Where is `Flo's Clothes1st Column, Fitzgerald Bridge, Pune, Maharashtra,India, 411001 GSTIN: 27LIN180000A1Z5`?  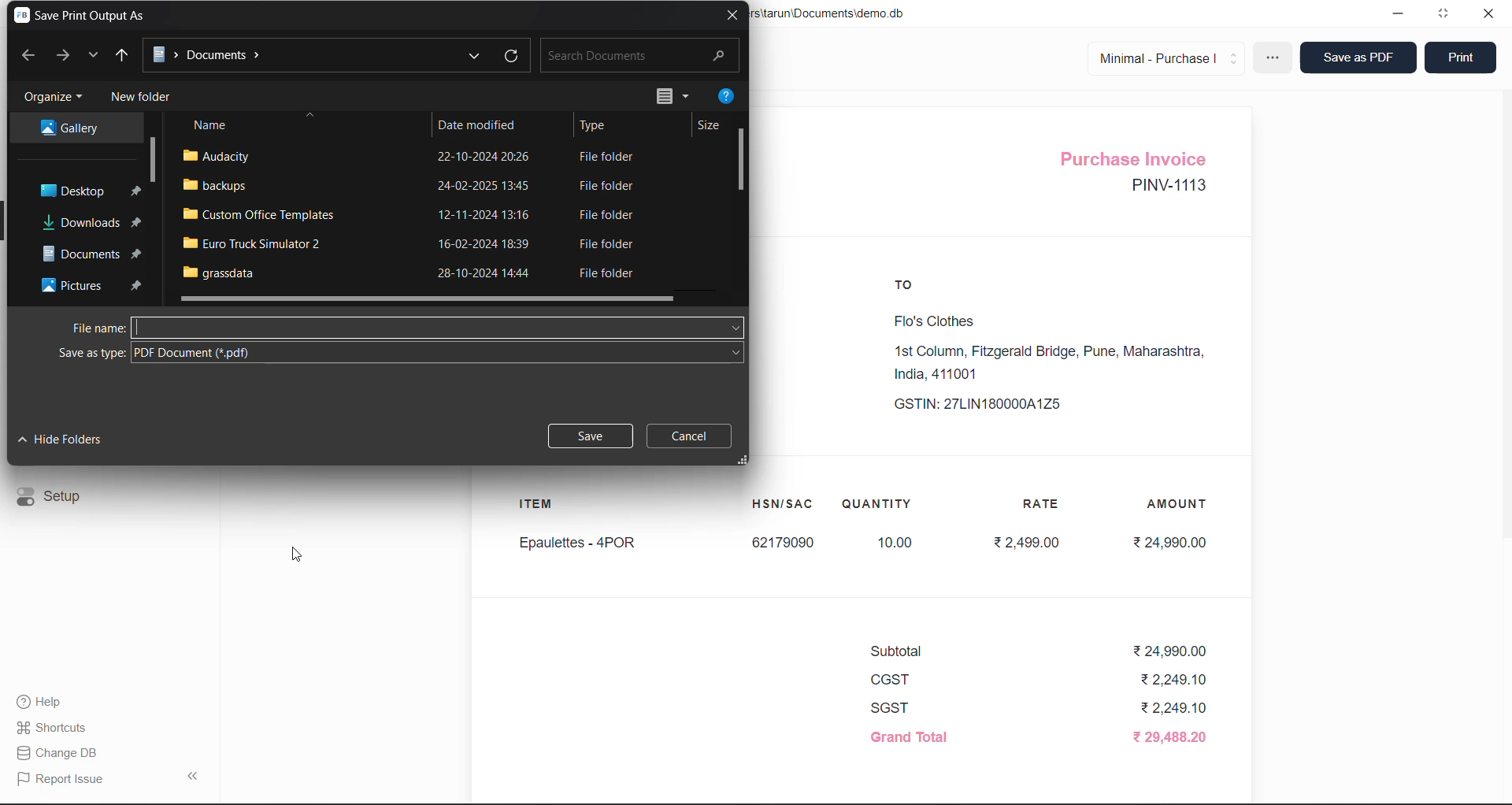 Flo's Clothes1st Column, Fitzgerald Bridge, Pune, Maharashtra,India, 411001 GSTIN: 27LIN180000A1Z5 is located at coordinates (1039, 362).